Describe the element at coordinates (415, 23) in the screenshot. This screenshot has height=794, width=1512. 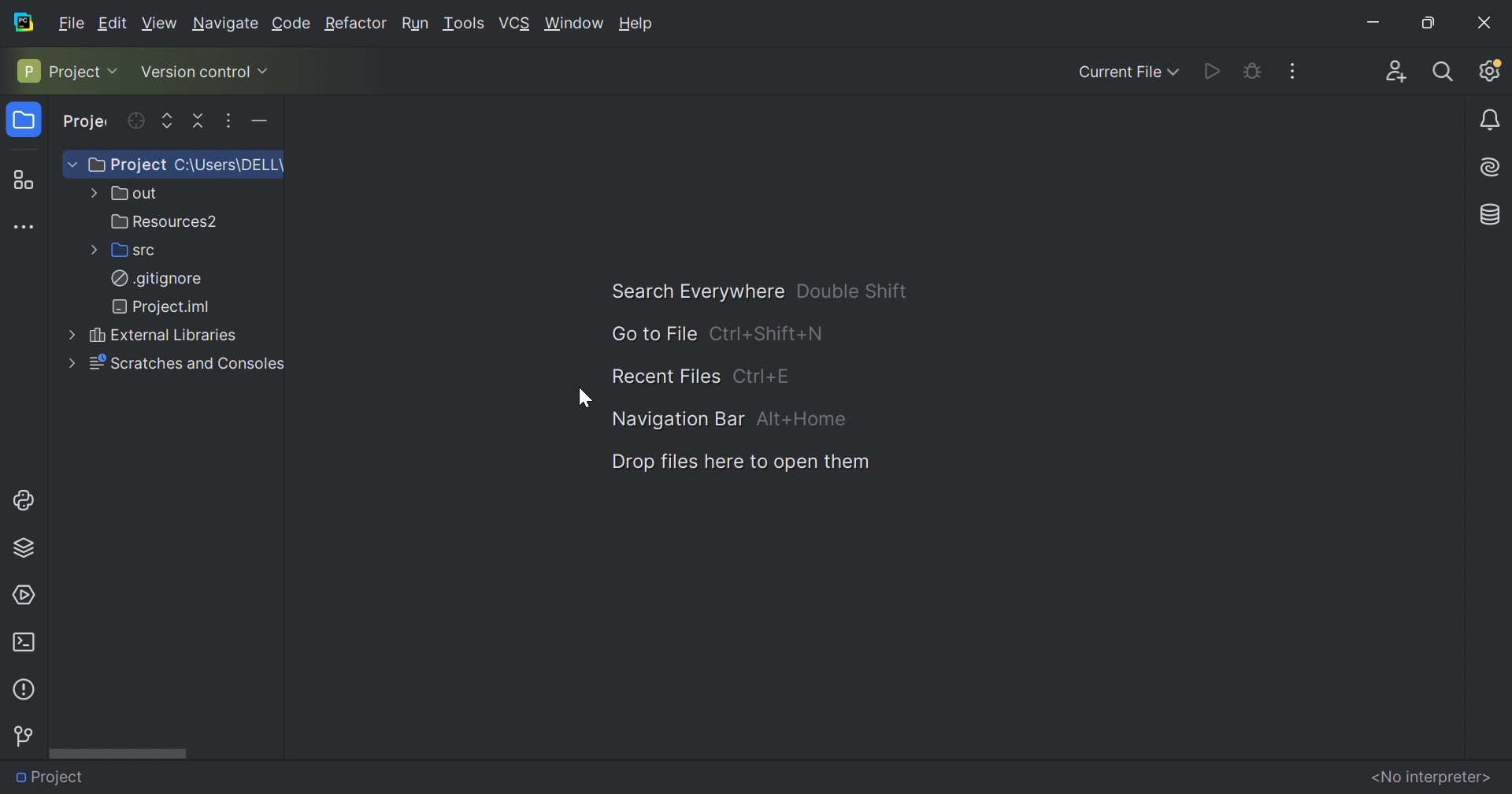
I see `Run` at that location.